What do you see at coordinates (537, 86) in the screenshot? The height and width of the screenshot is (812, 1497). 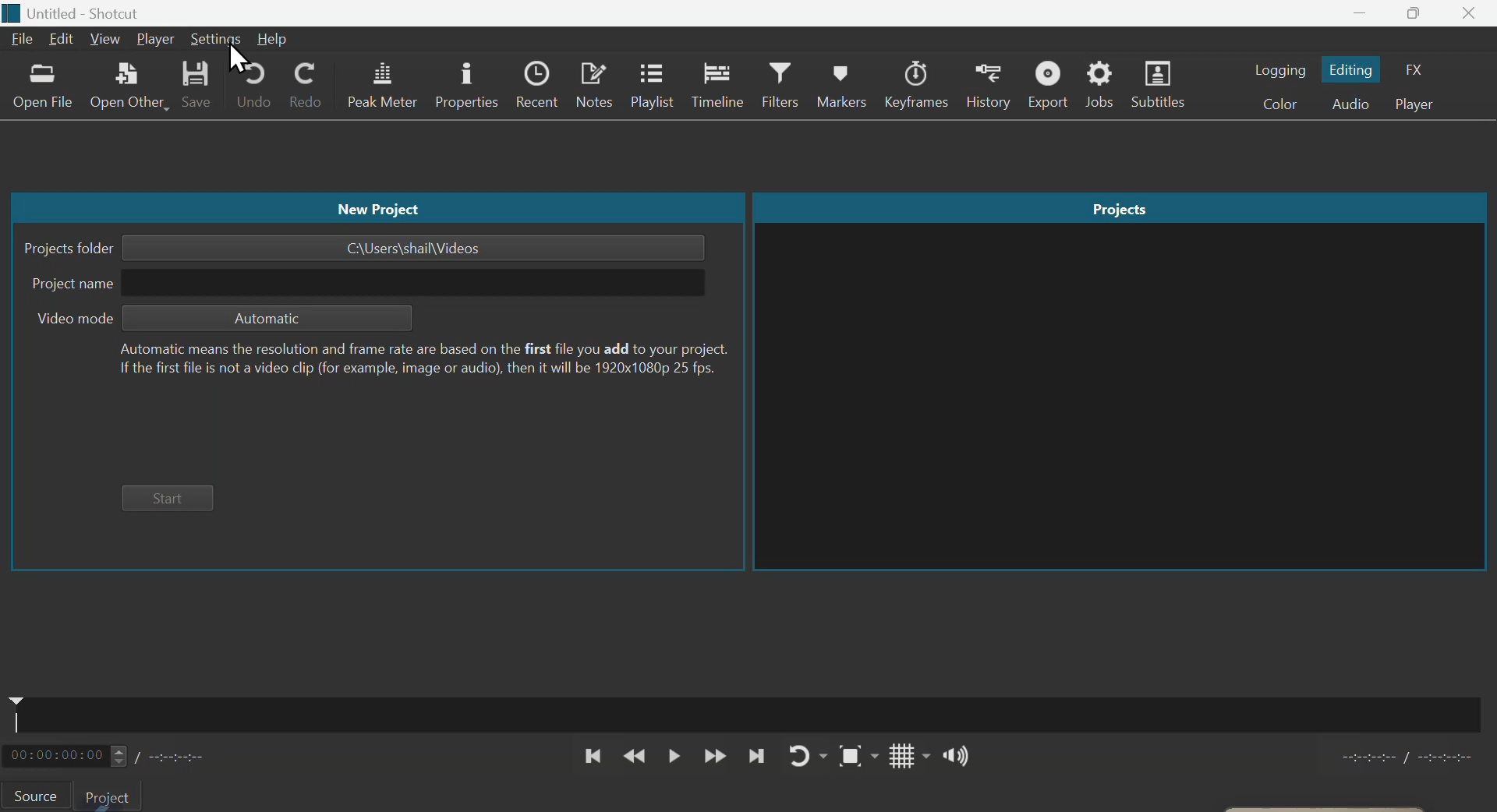 I see `Recent` at bounding box center [537, 86].